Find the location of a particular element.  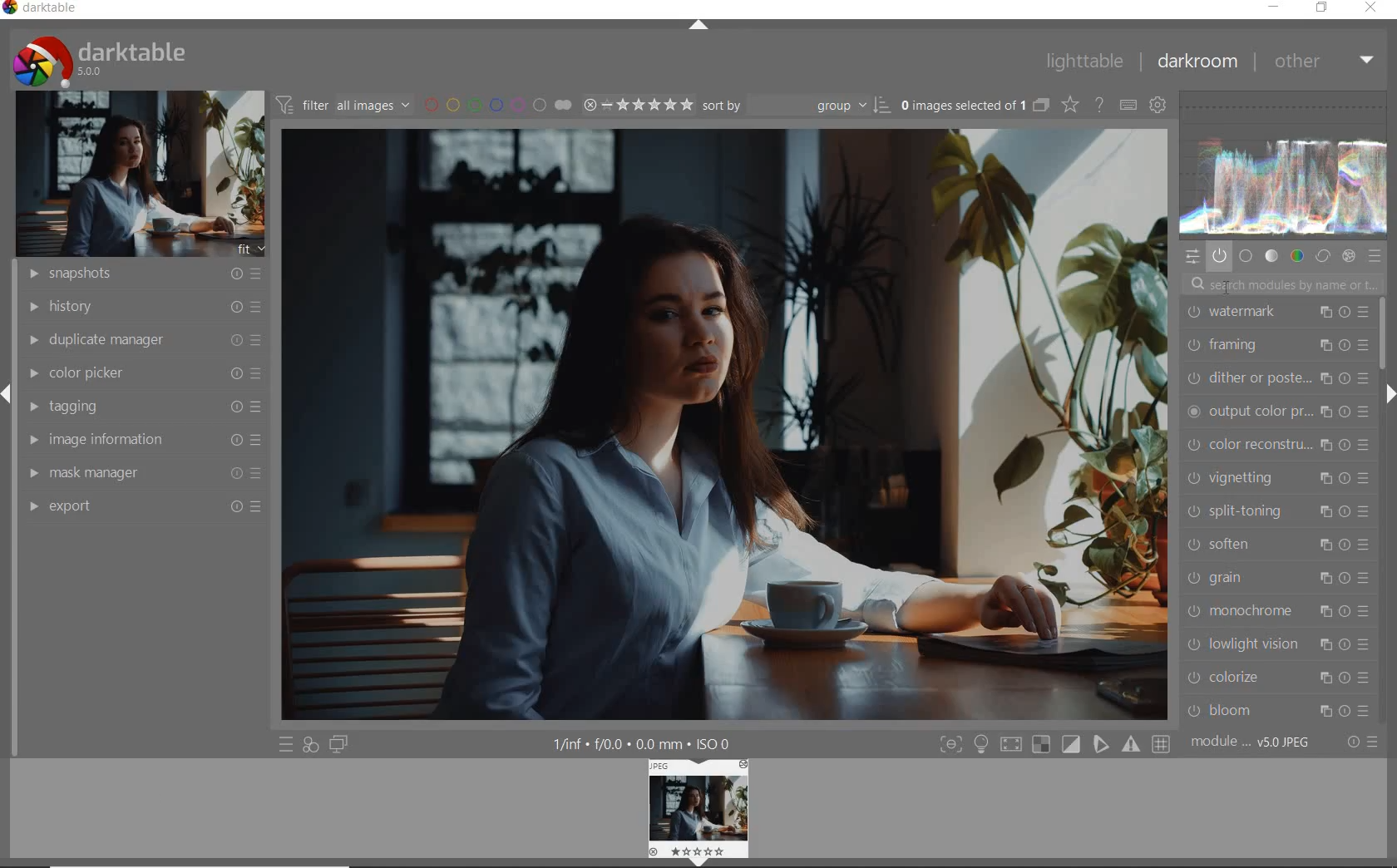

filter by image color label is located at coordinates (496, 103).